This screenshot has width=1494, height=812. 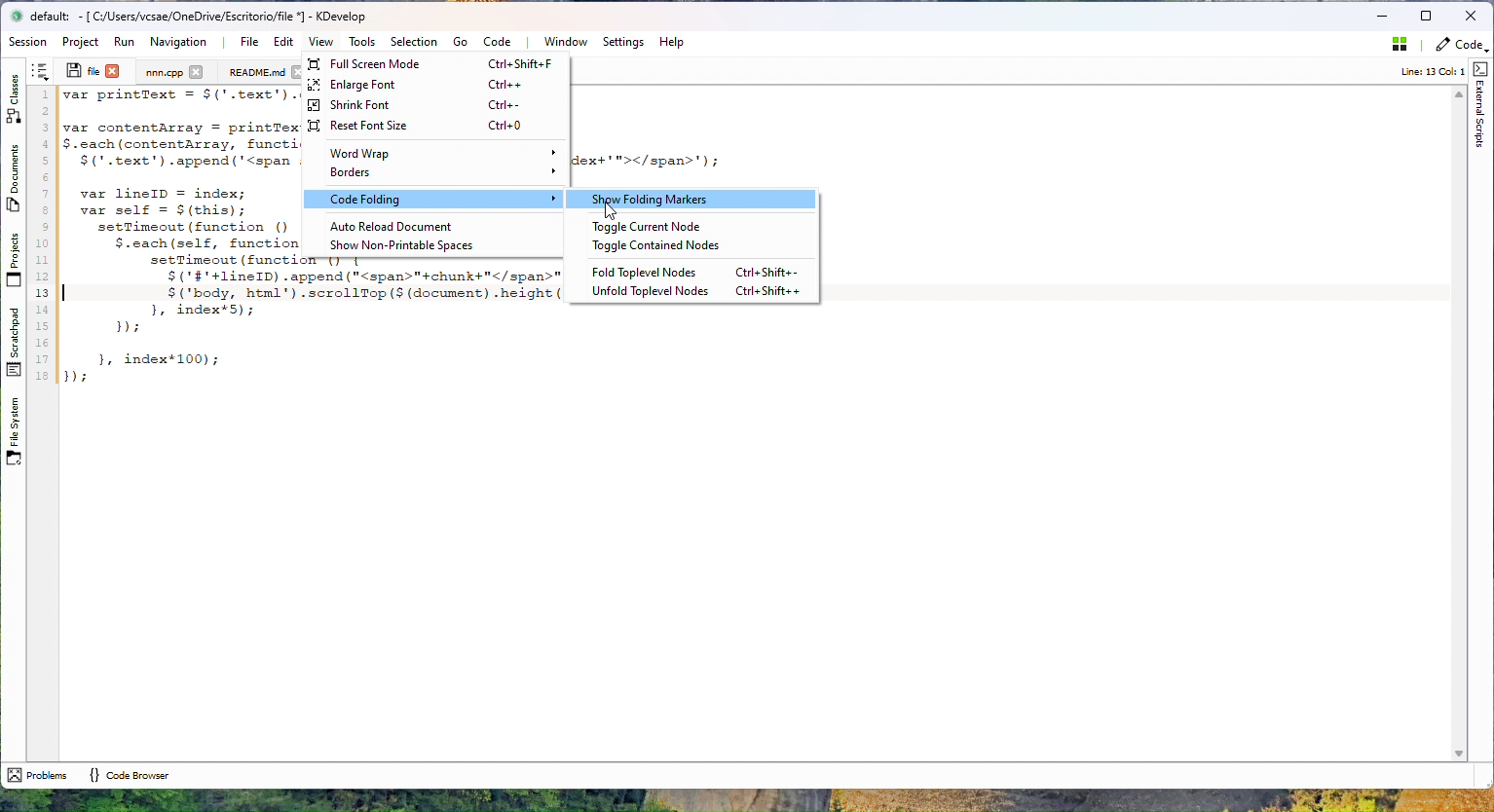 What do you see at coordinates (124, 42) in the screenshot?
I see `Run` at bounding box center [124, 42].